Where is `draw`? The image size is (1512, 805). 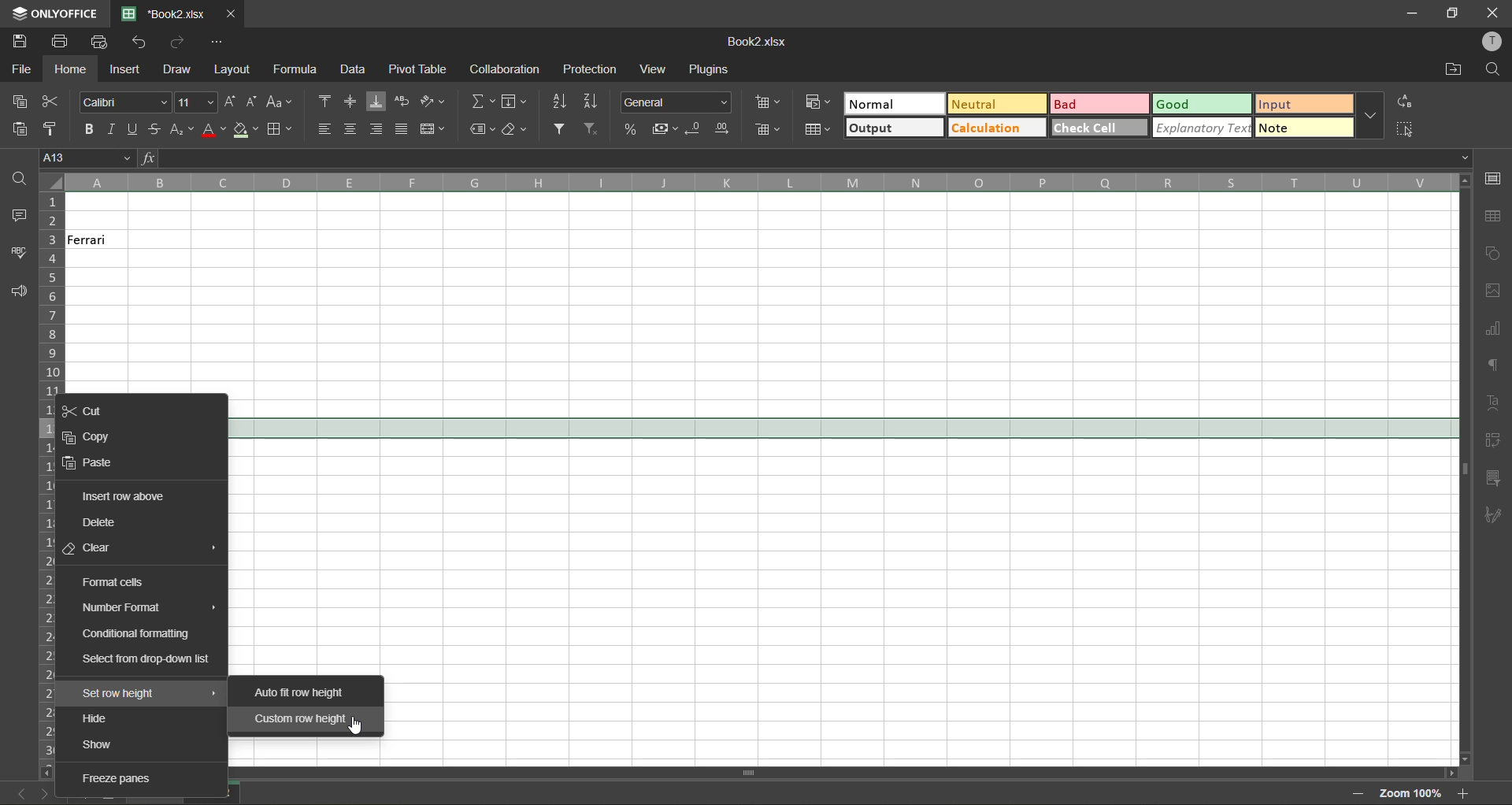
draw is located at coordinates (179, 71).